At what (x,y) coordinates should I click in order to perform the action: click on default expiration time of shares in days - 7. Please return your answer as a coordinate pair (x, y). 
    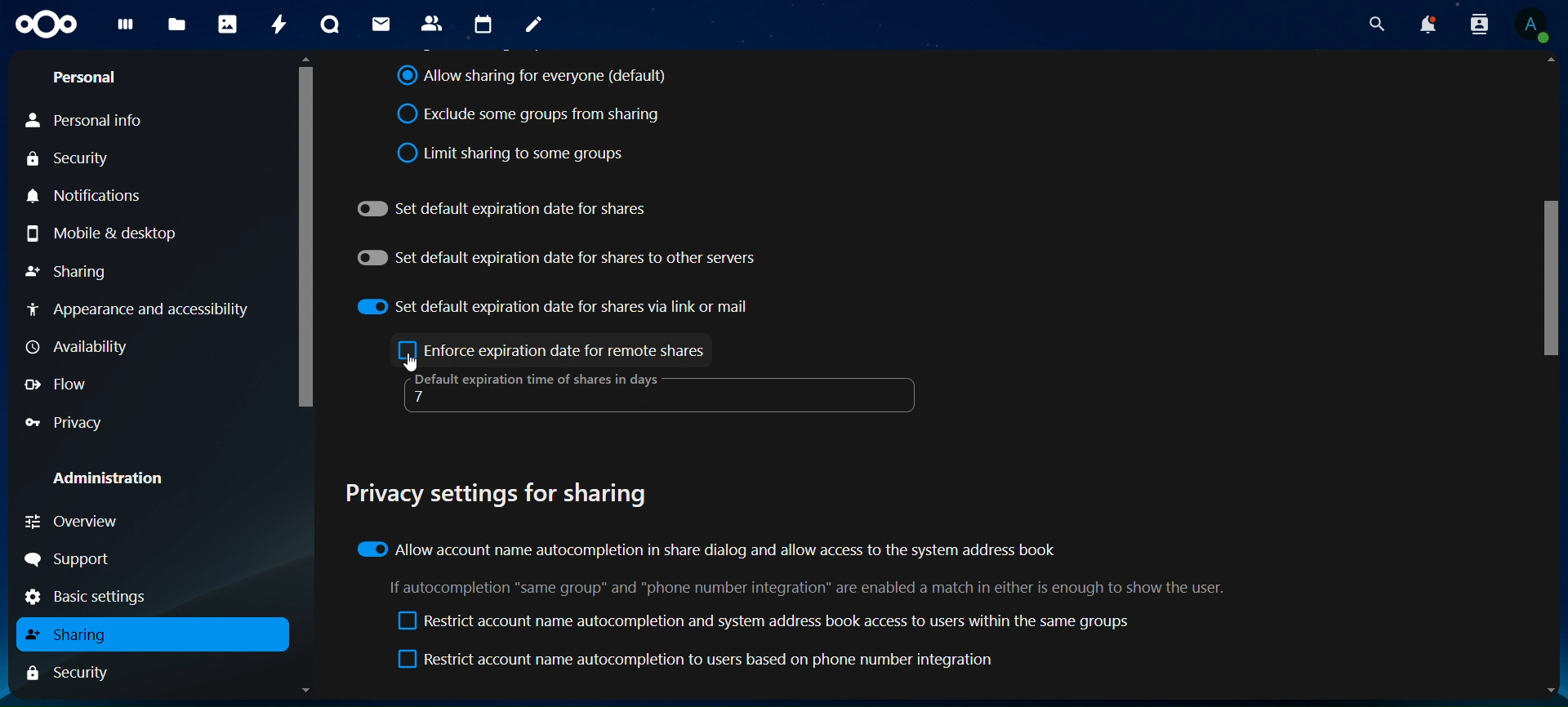
    Looking at the image, I should click on (532, 390).